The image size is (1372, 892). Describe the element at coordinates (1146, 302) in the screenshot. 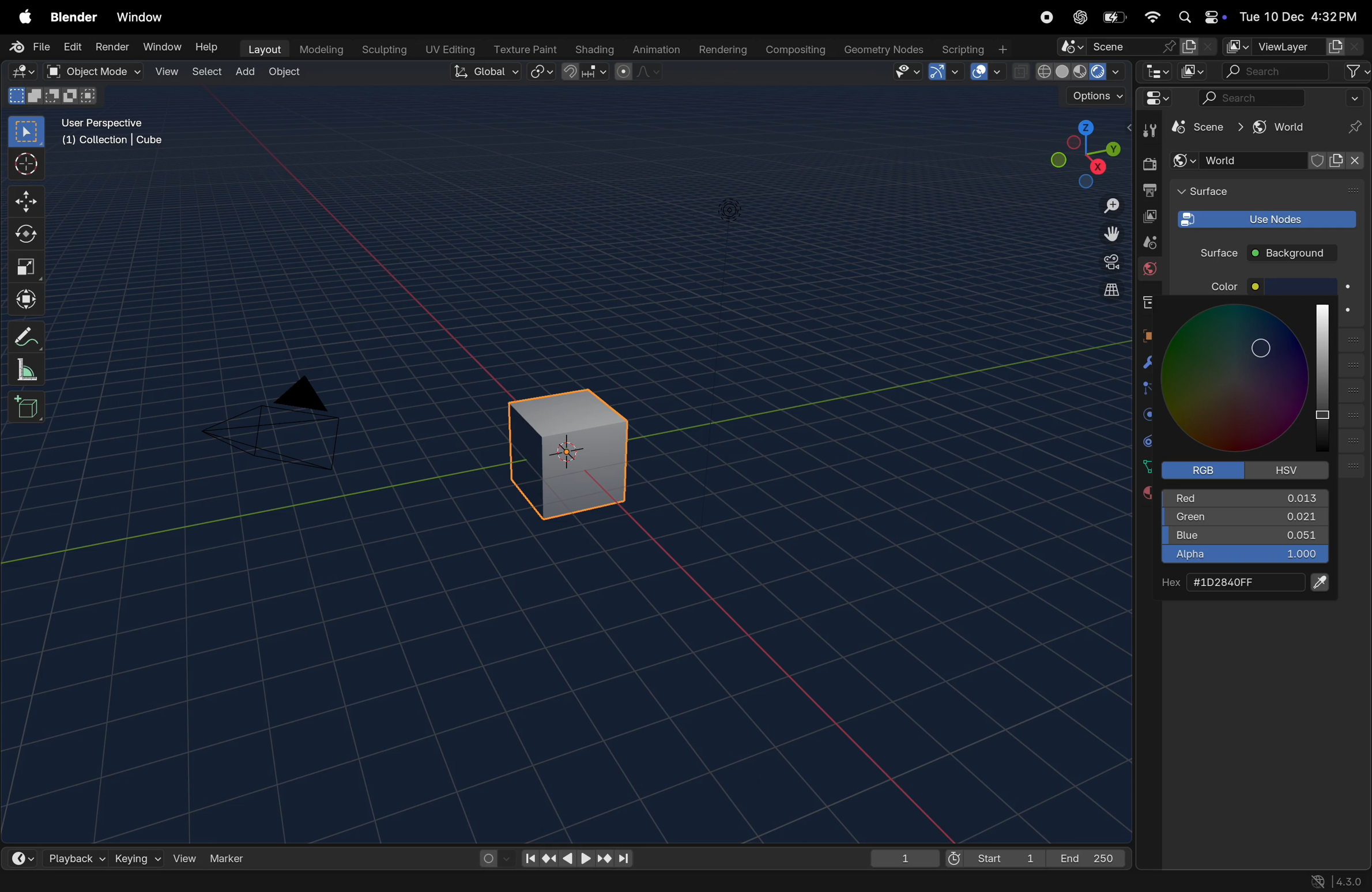

I see `collection` at that location.